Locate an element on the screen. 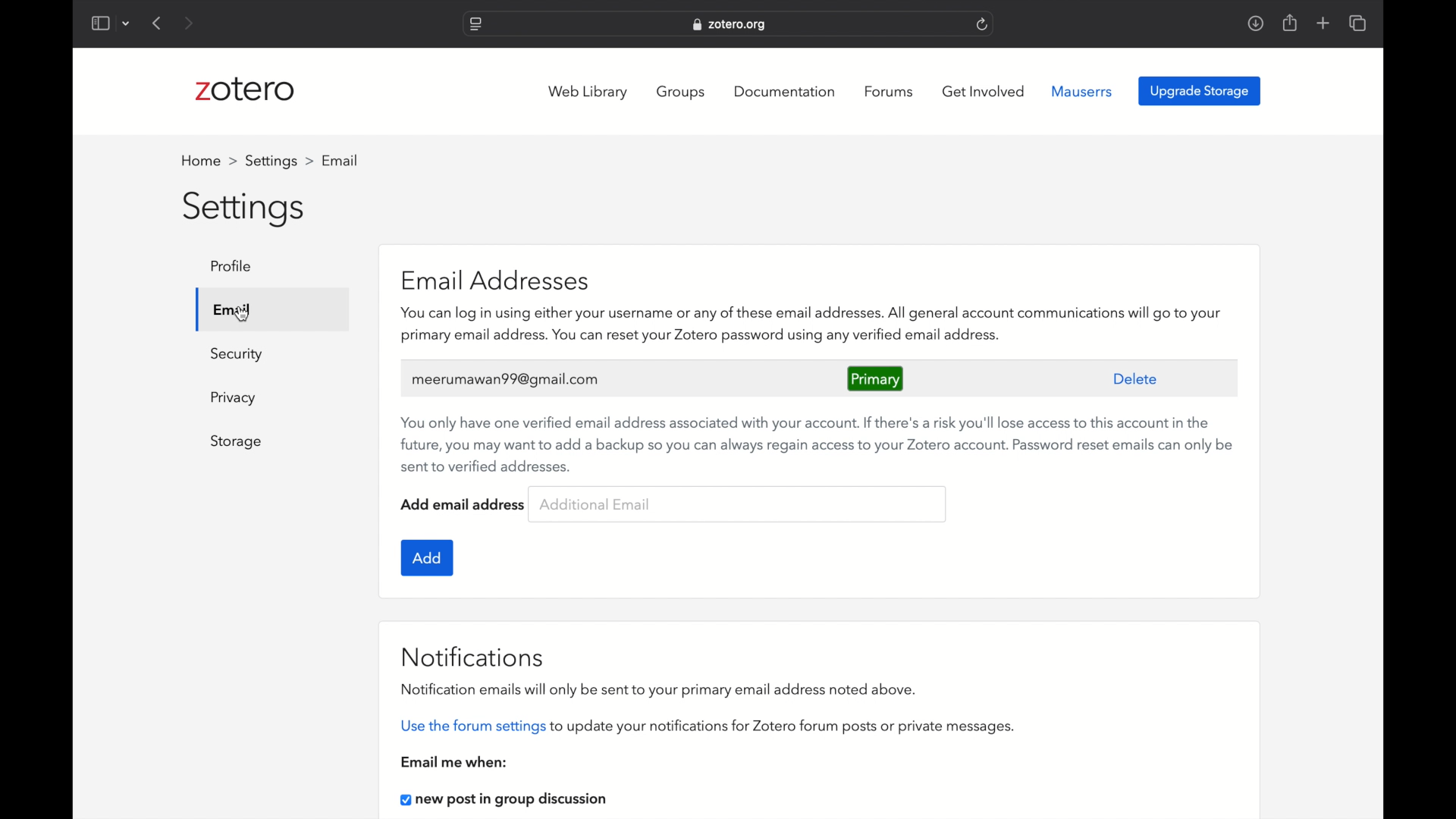 The width and height of the screenshot is (1456, 819). get involved is located at coordinates (984, 91).